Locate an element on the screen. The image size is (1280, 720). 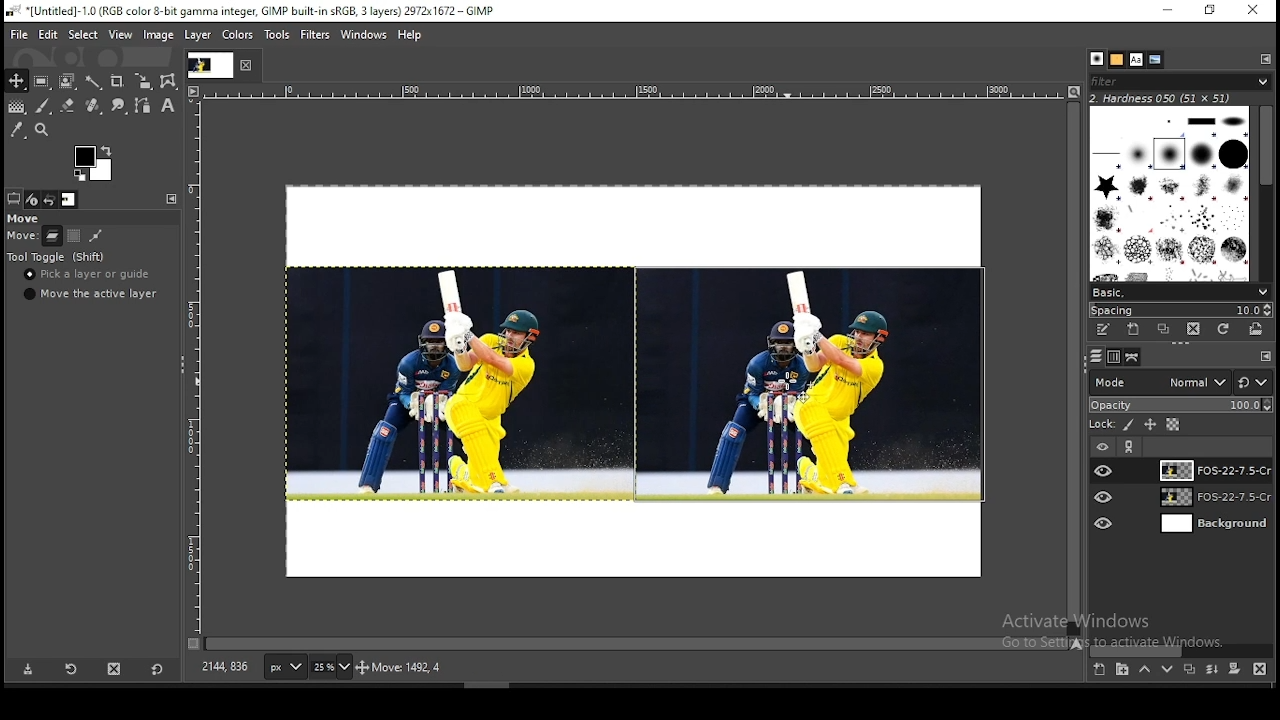
Designs is located at coordinates (1171, 192).